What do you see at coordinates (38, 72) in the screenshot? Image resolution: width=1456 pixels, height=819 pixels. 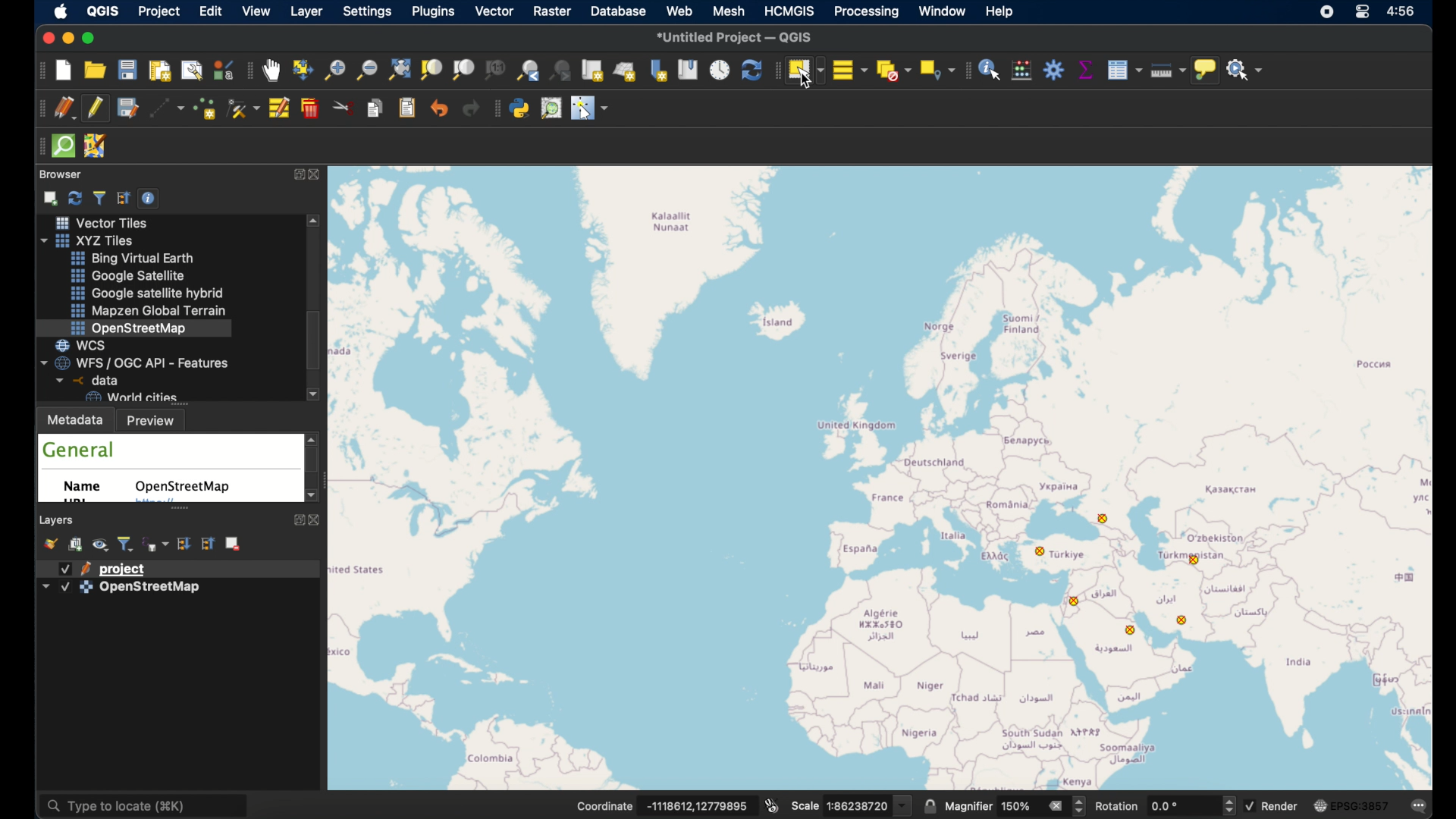 I see `project toolbar` at bounding box center [38, 72].